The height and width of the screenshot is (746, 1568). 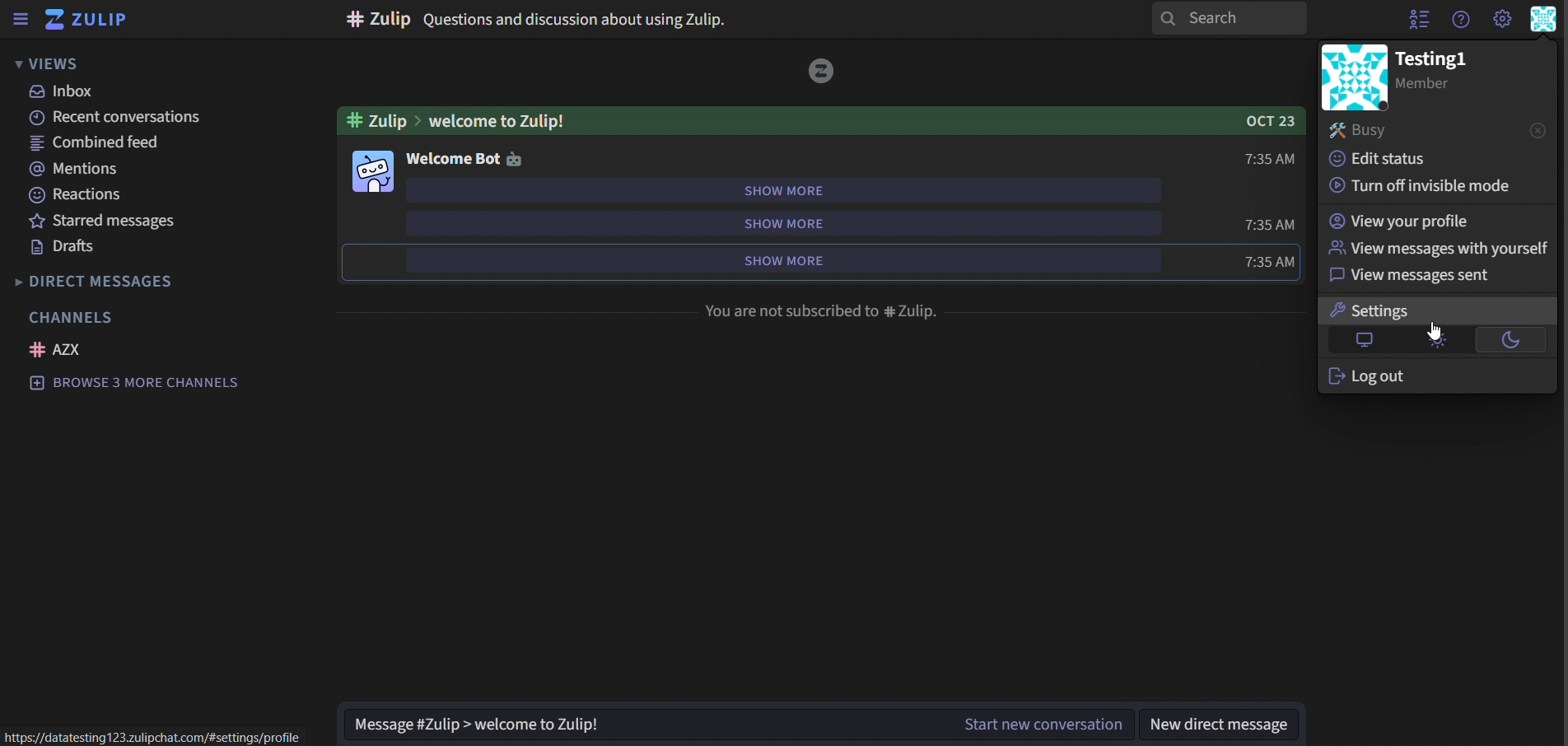 I want to click on welcome bot, so click(x=466, y=158).